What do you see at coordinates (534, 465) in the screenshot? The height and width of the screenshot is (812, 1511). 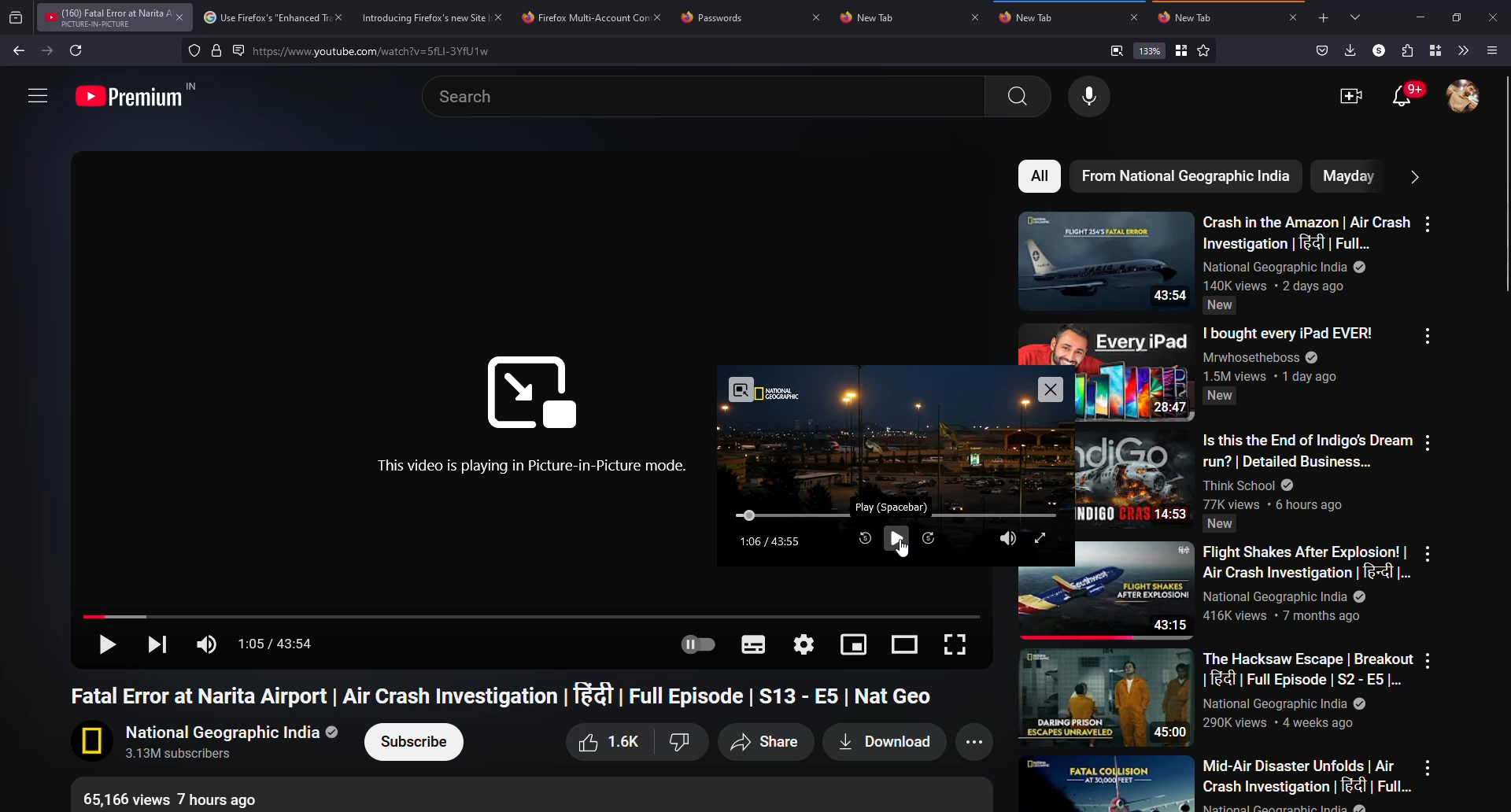 I see `video playing in picture-in-picture mode` at bounding box center [534, 465].